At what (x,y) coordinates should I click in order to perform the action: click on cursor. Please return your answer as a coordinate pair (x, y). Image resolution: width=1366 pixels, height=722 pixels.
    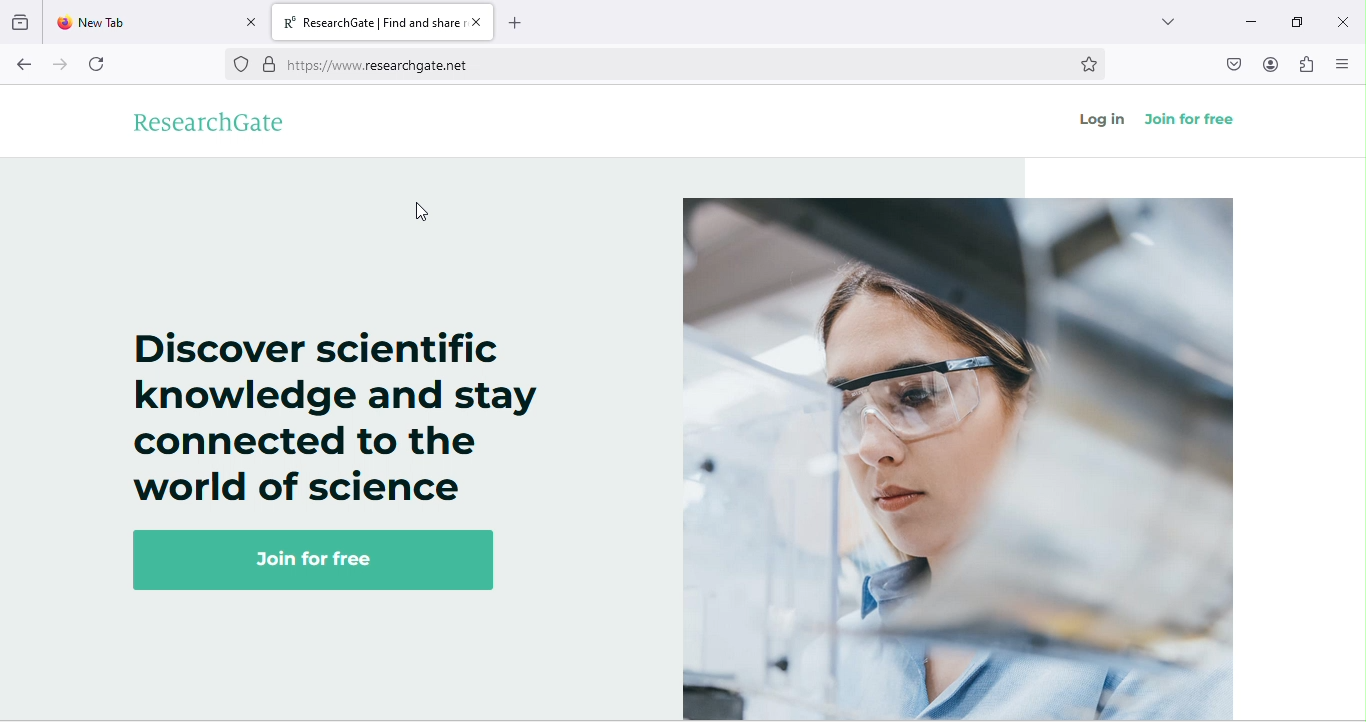
    Looking at the image, I should click on (420, 214).